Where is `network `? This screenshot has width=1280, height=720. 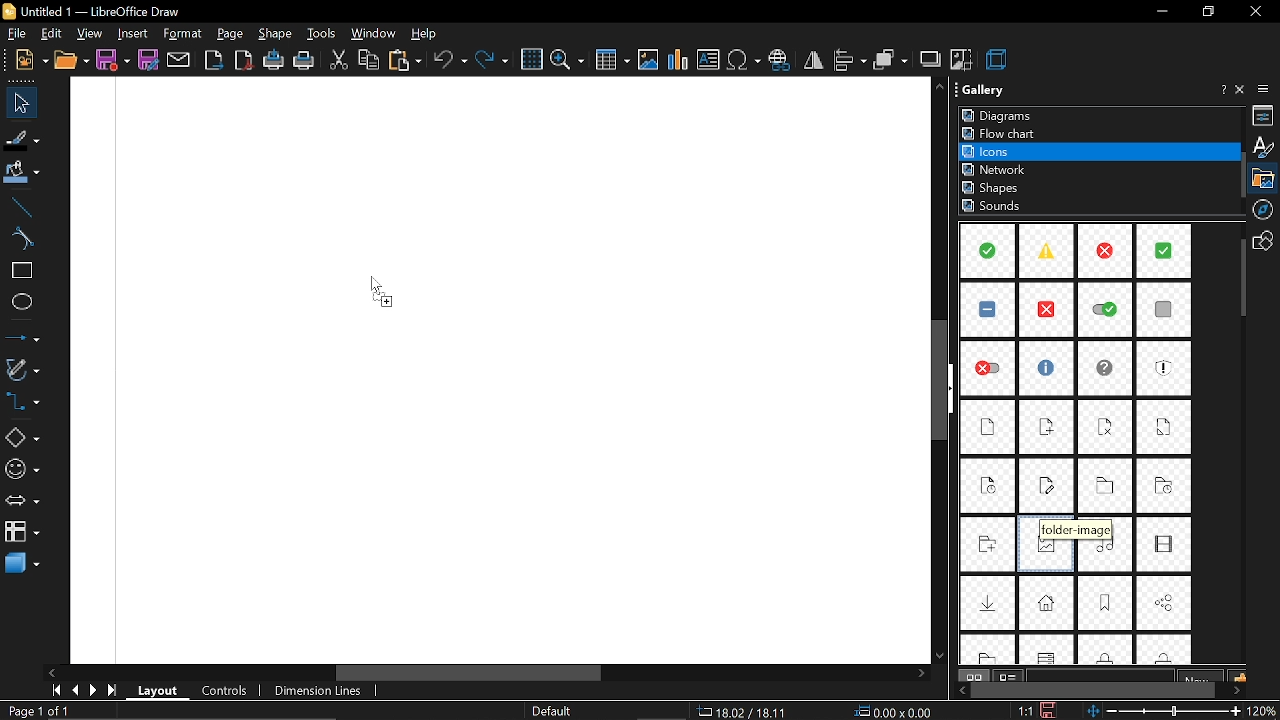
network  is located at coordinates (997, 169).